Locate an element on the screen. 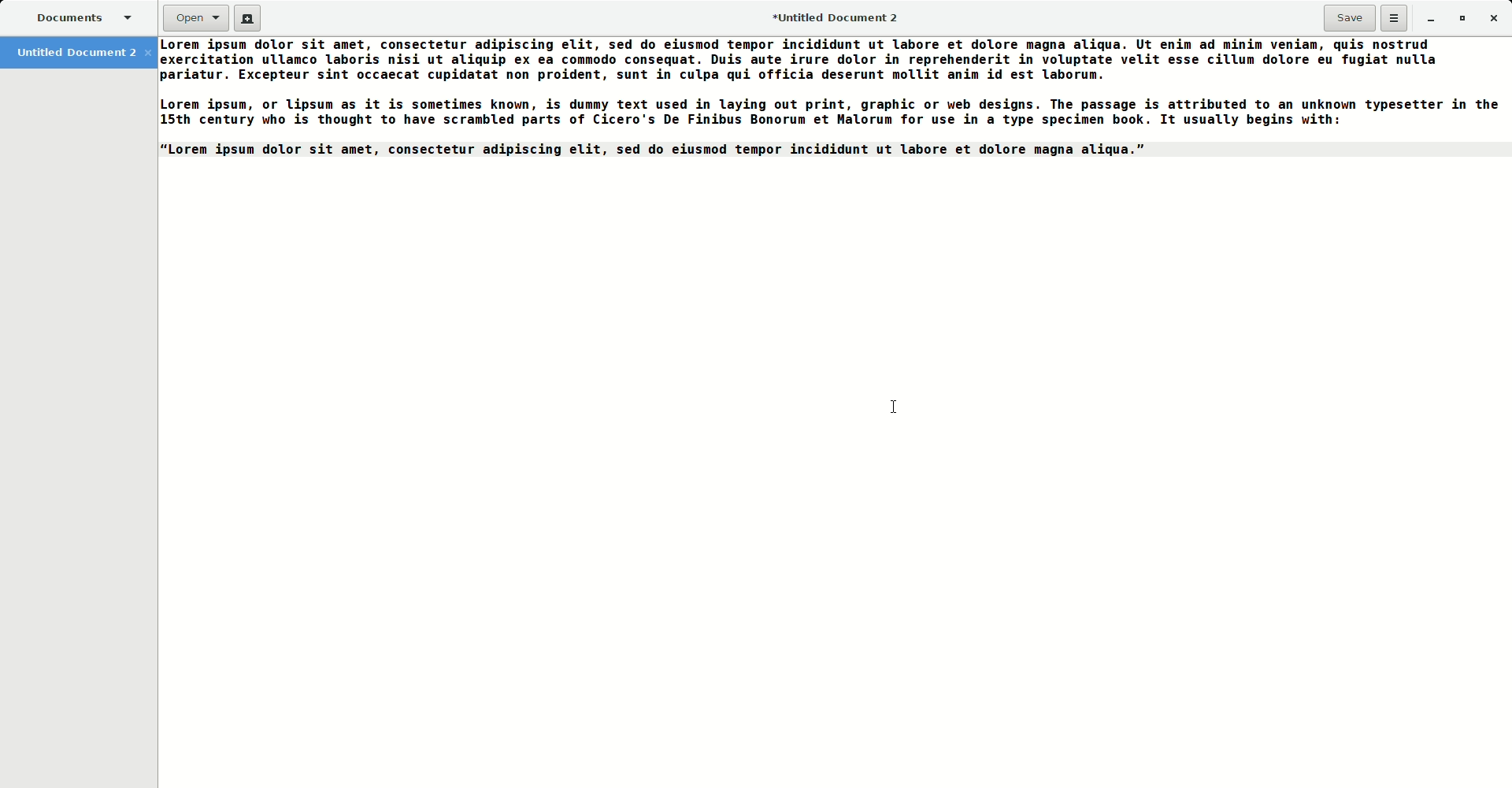 The width and height of the screenshot is (1512, 788). Untitled Document 2 is located at coordinates (833, 17).